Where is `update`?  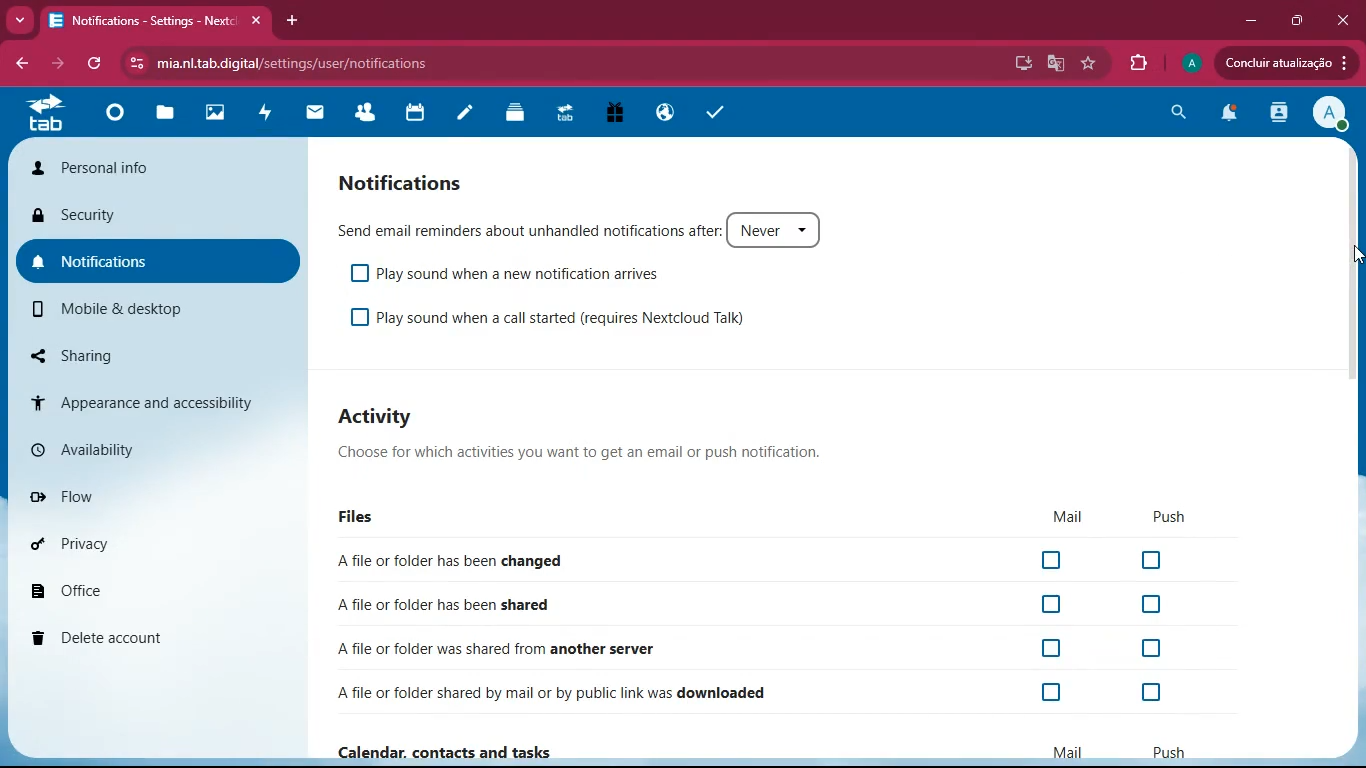 update is located at coordinates (1284, 63).